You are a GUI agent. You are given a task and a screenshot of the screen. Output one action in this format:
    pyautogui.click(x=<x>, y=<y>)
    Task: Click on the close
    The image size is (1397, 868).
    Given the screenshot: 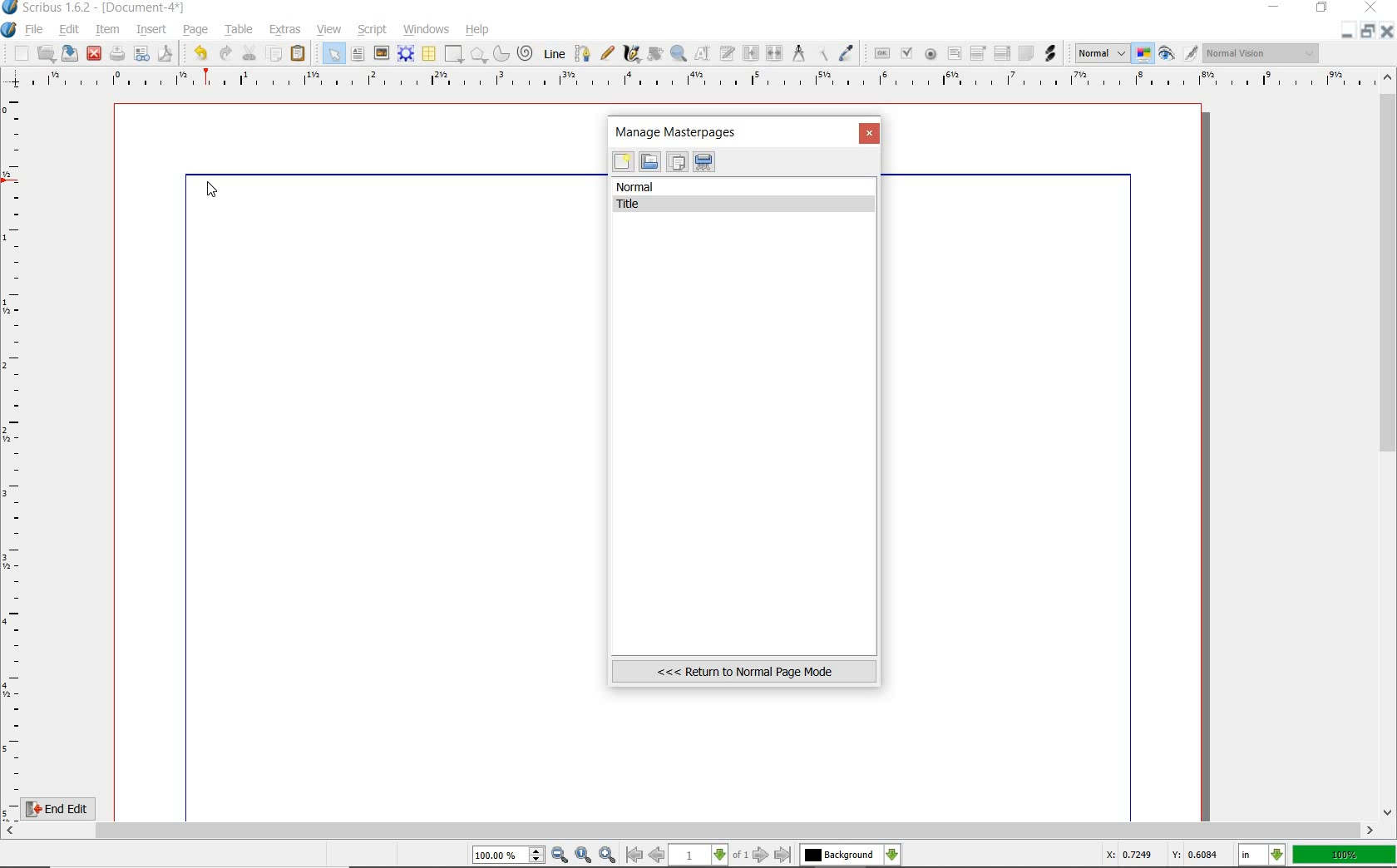 What is the action you would take?
    pyautogui.click(x=1389, y=31)
    